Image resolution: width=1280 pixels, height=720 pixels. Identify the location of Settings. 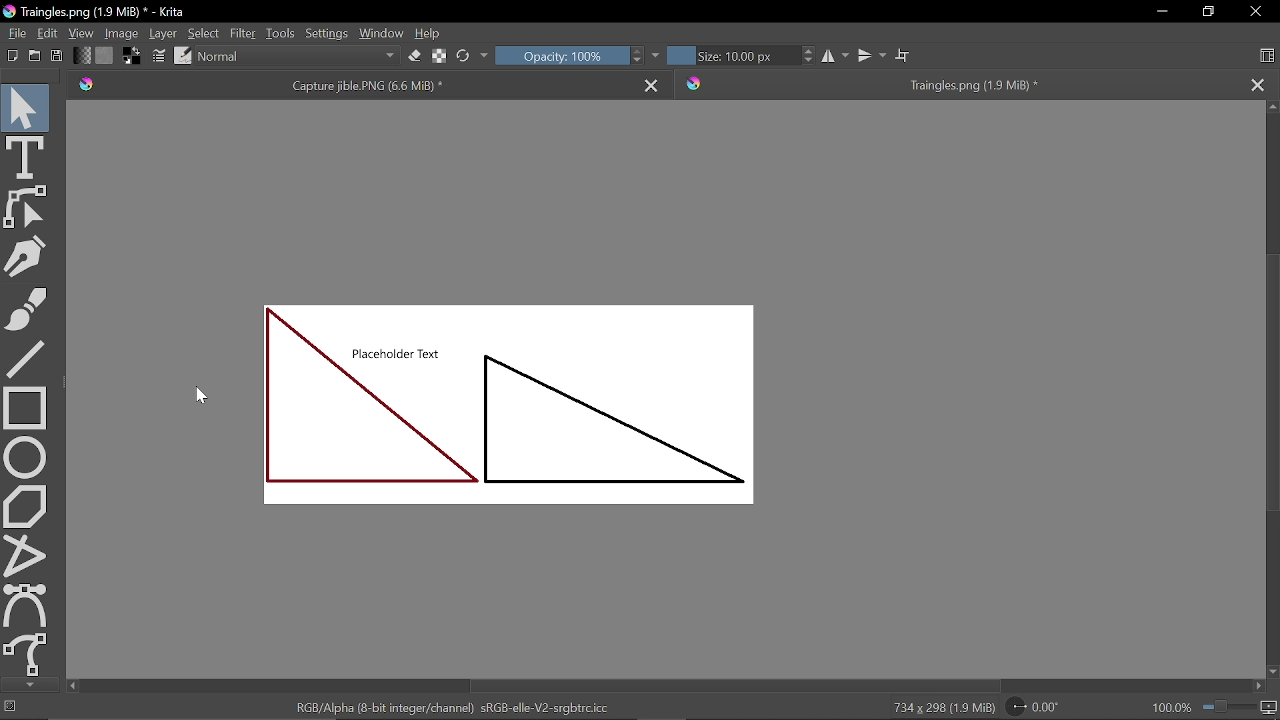
(326, 36).